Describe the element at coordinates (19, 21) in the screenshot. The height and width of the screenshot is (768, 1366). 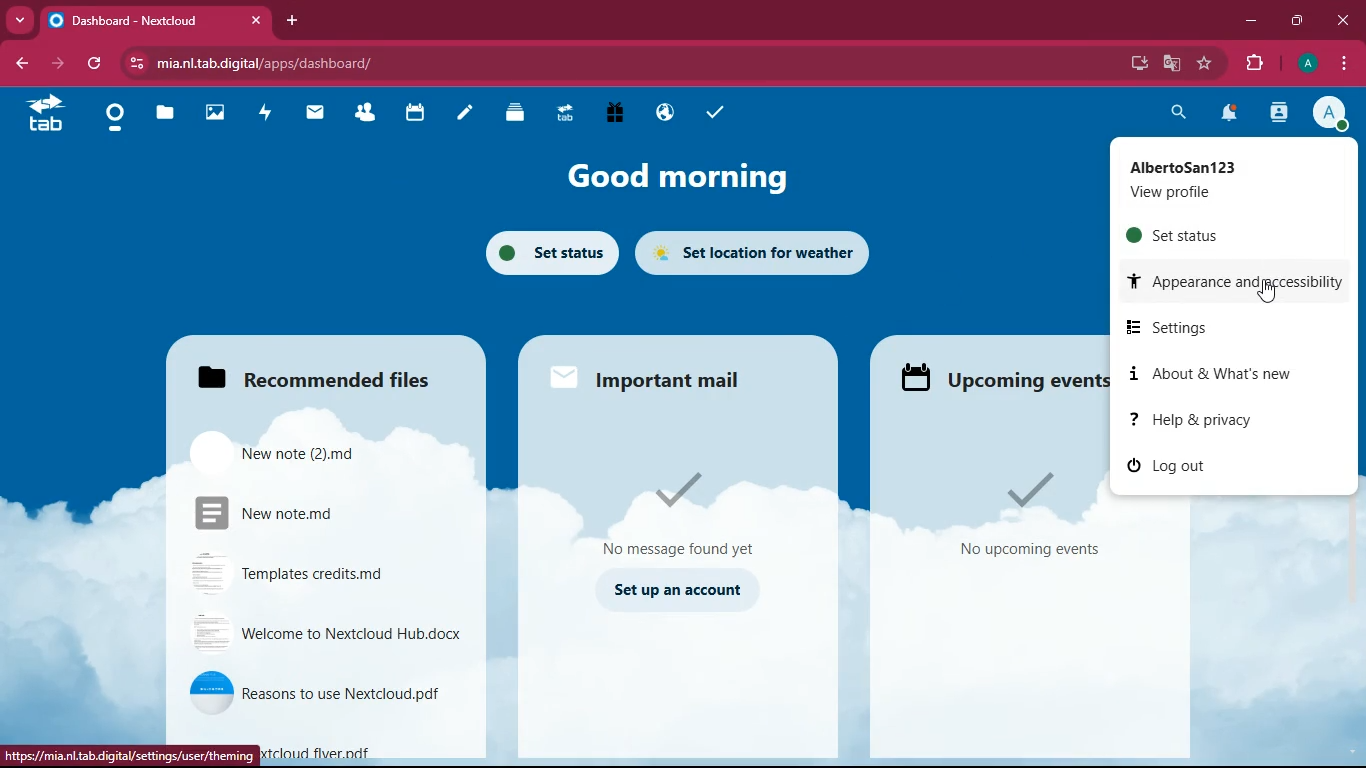
I see `more` at that location.